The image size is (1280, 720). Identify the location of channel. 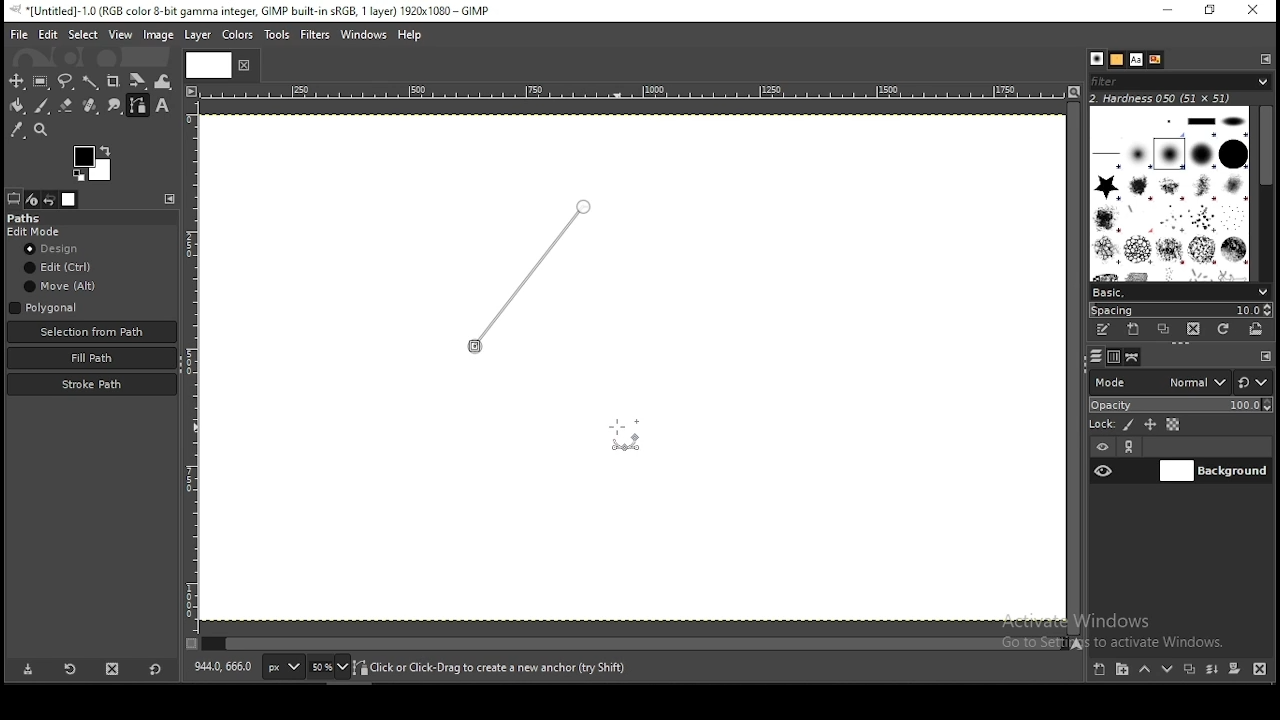
(1113, 356).